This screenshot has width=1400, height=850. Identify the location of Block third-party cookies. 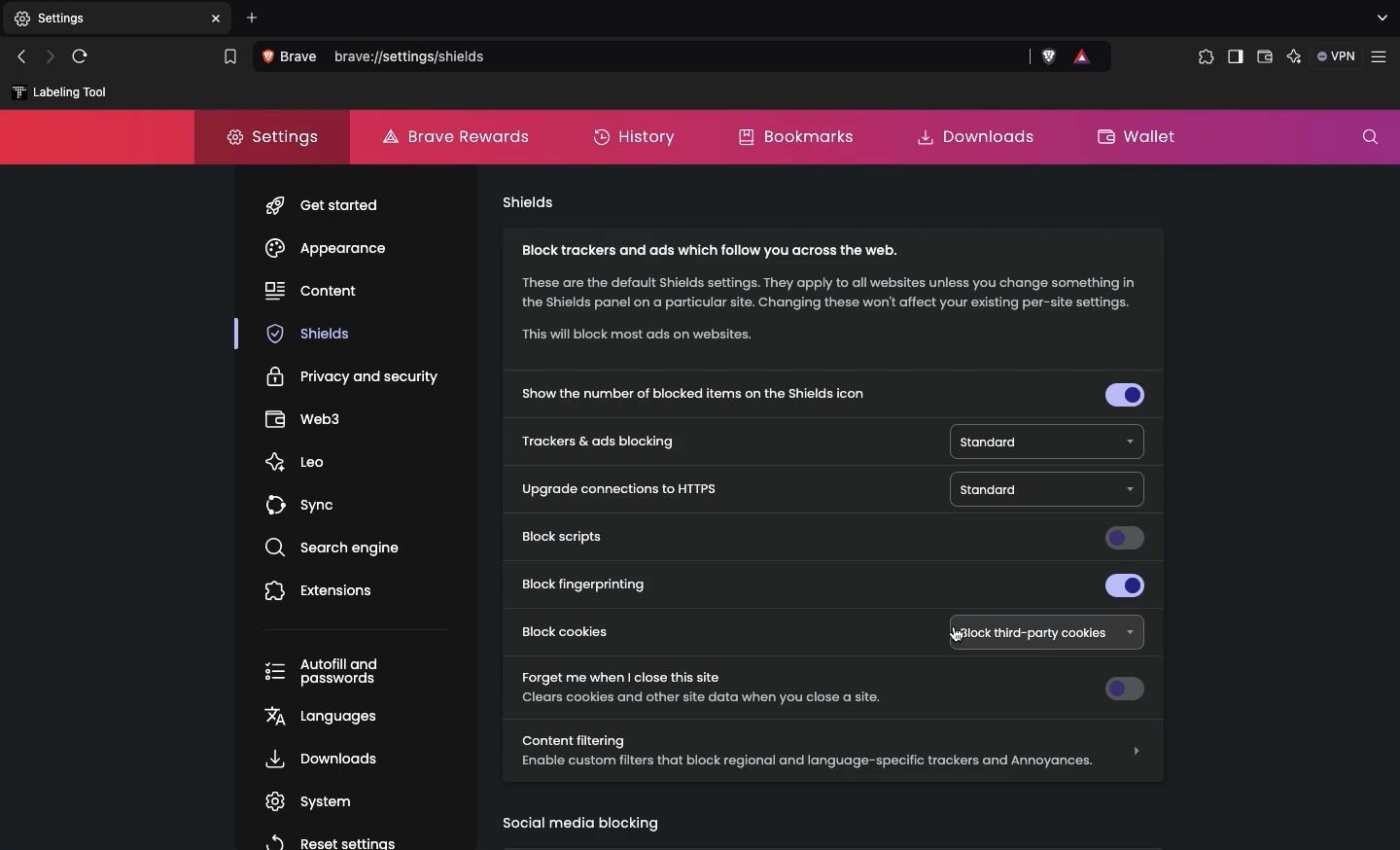
(1045, 630).